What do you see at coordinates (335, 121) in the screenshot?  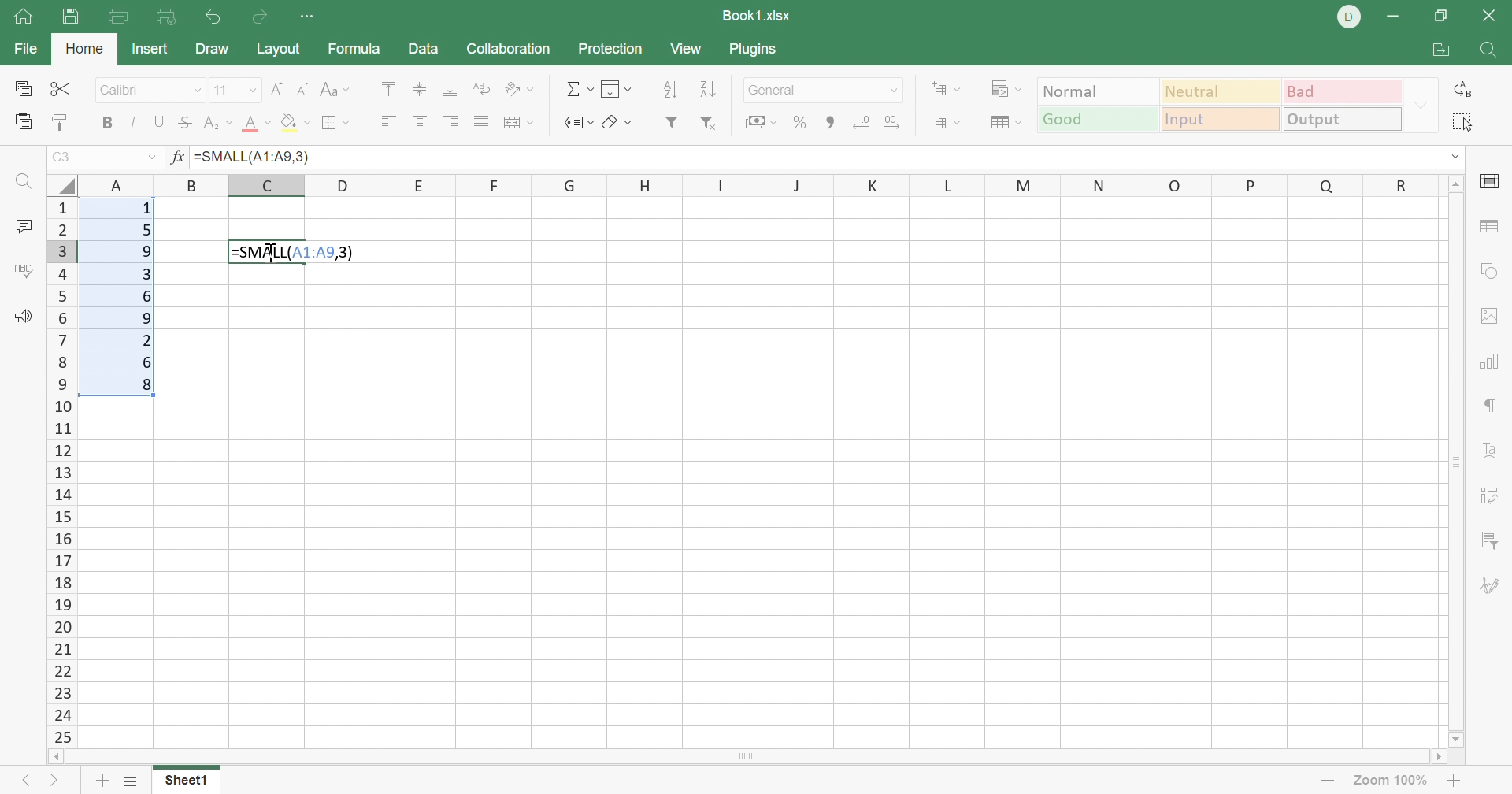 I see `Borders` at bounding box center [335, 121].